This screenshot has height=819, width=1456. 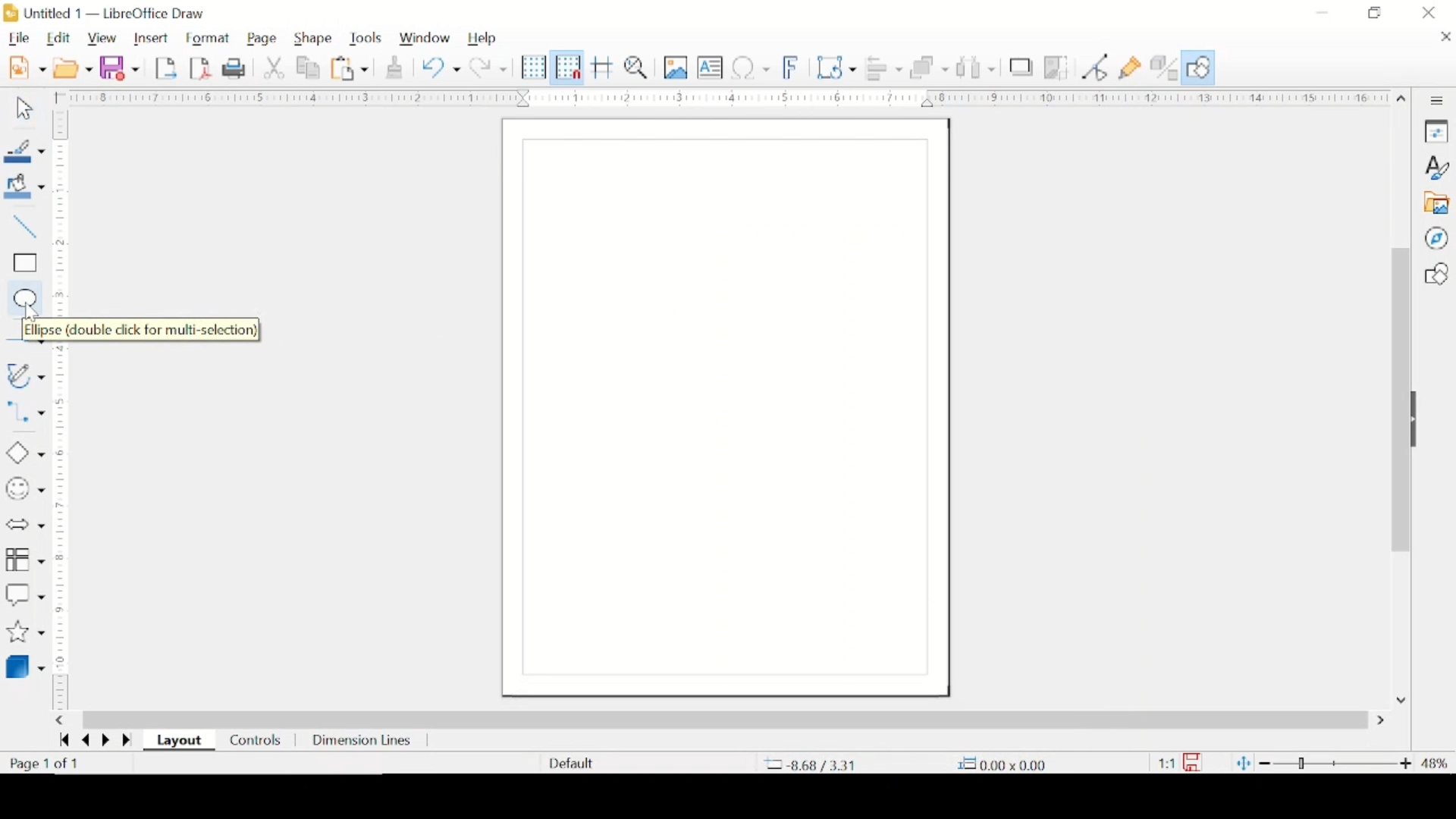 What do you see at coordinates (201, 68) in the screenshot?
I see `export directly as pdf` at bounding box center [201, 68].